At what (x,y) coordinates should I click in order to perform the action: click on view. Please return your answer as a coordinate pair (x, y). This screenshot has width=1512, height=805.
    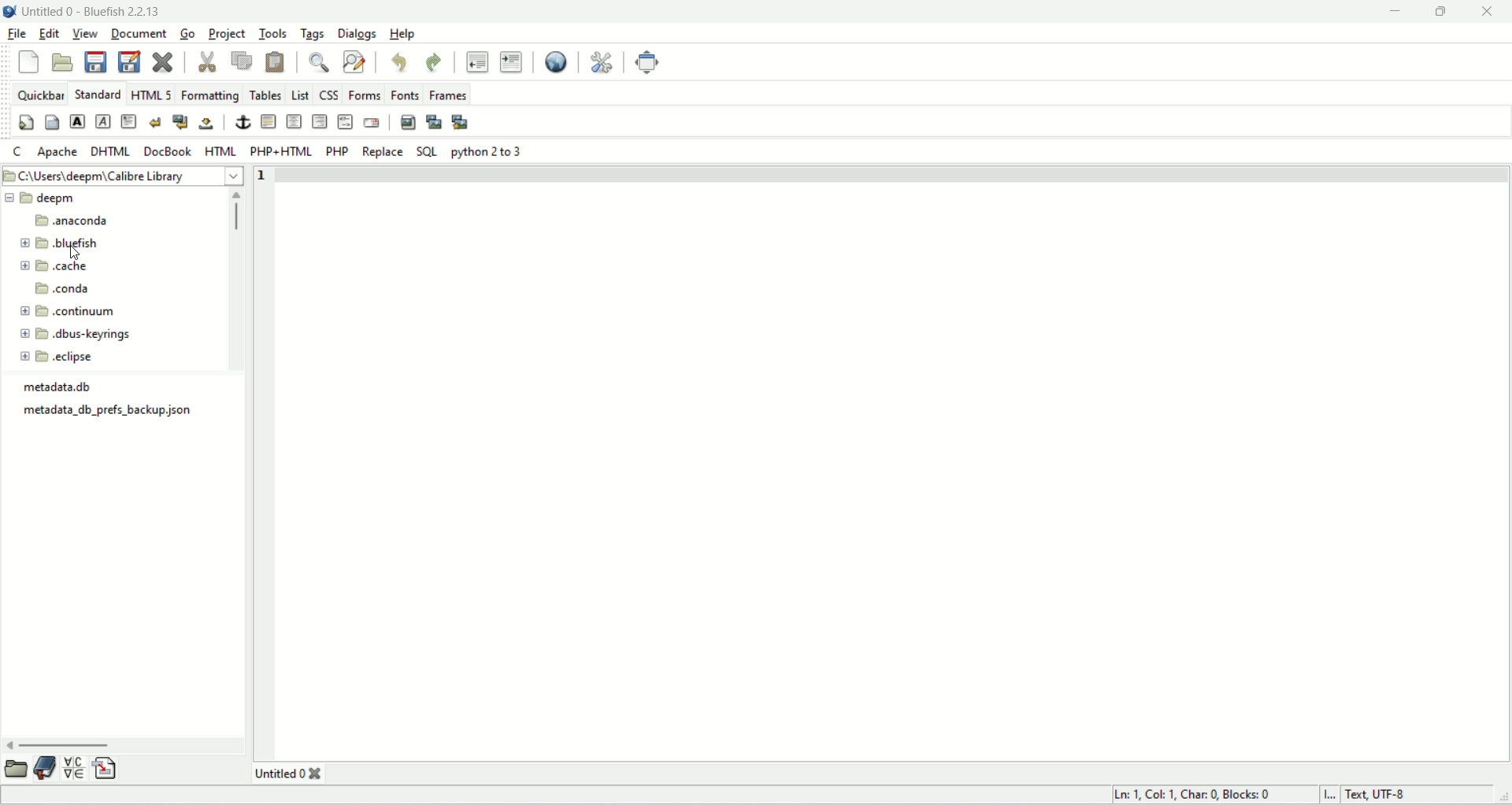
    Looking at the image, I should click on (87, 34).